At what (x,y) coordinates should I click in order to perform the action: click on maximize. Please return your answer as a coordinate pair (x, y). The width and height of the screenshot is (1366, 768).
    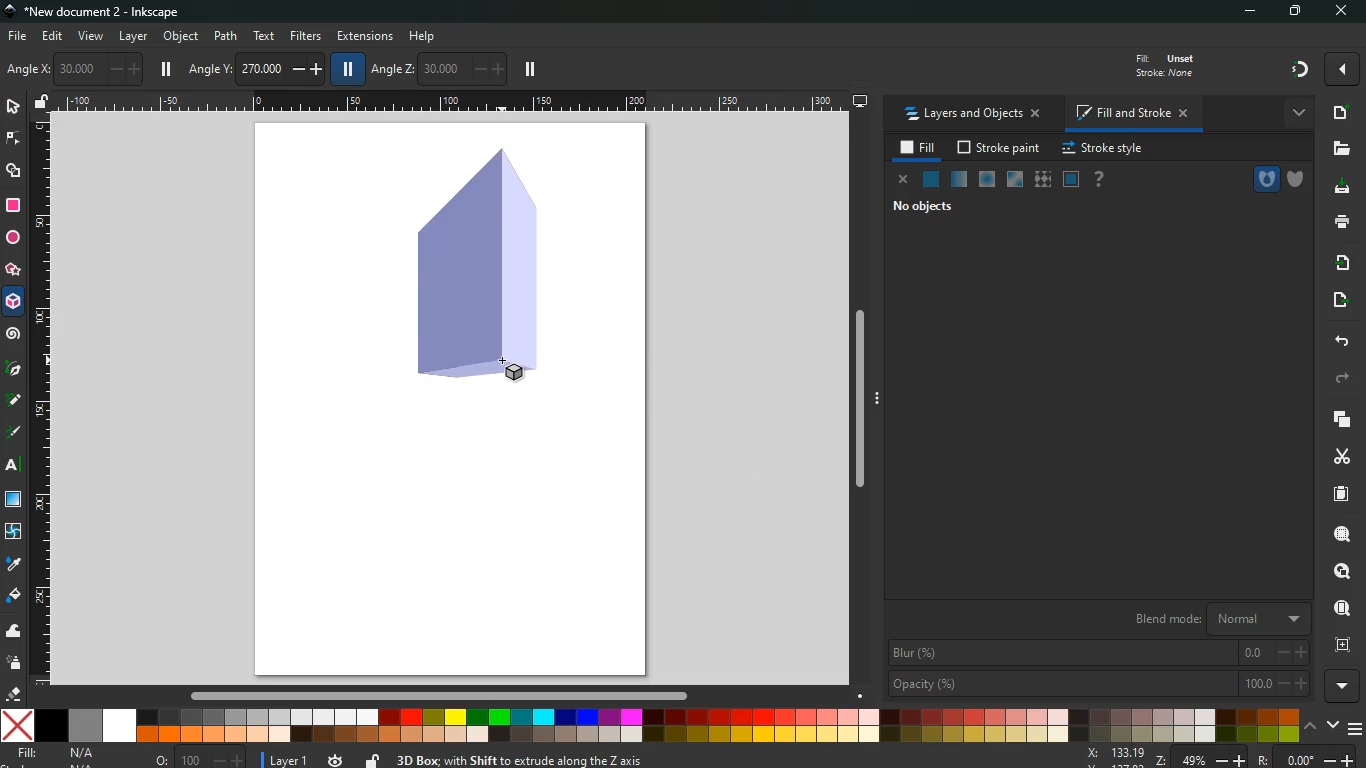
    Looking at the image, I should click on (1298, 12).